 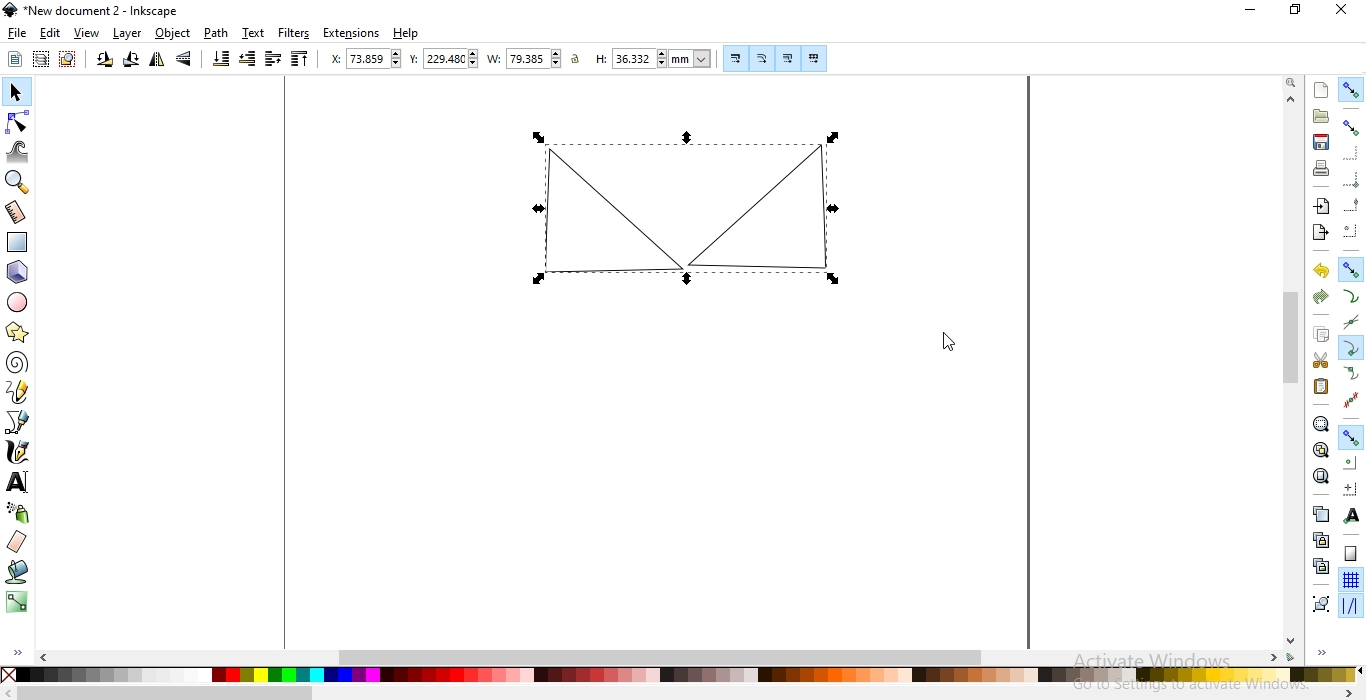 What do you see at coordinates (1319, 359) in the screenshot?
I see `cut selection to clipboard` at bounding box center [1319, 359].